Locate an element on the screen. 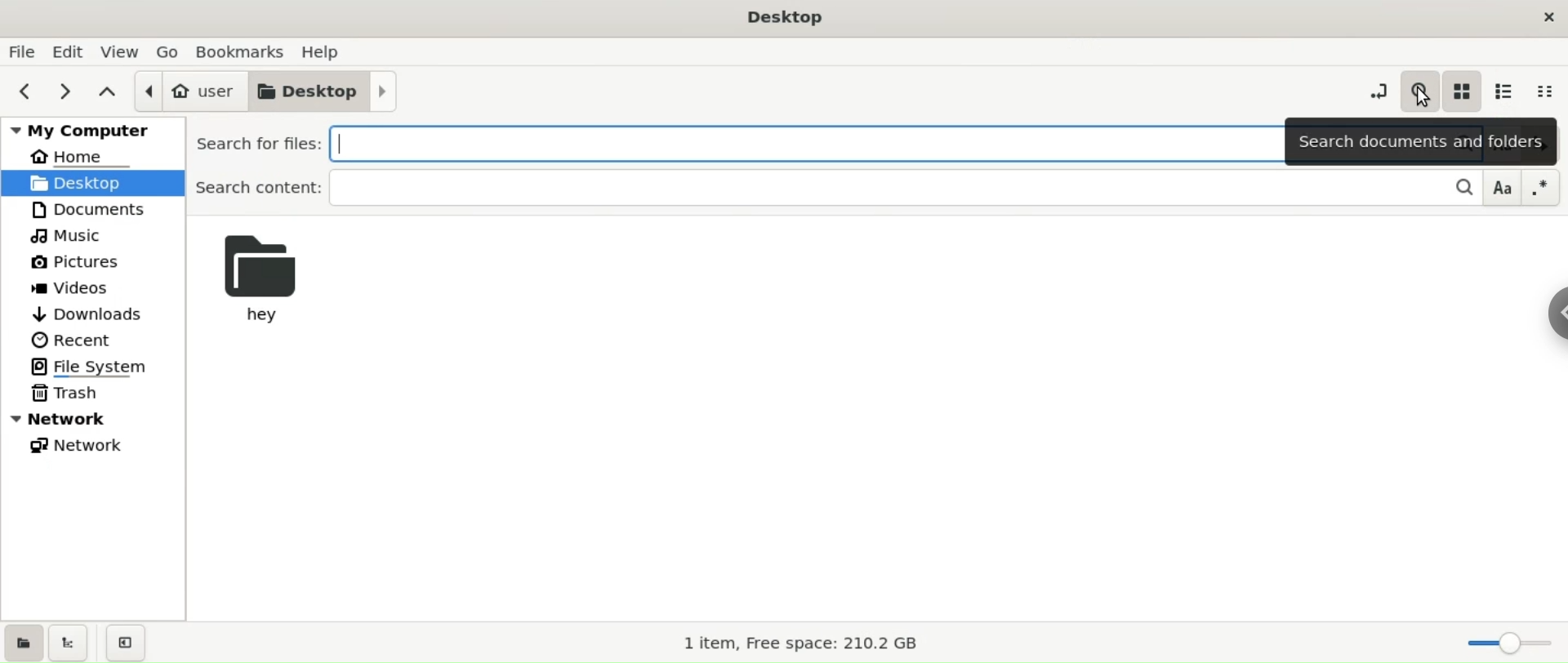 Image resolution: width=1568 pixels, height=663 pixels. title is located at coordinates (771, 17).